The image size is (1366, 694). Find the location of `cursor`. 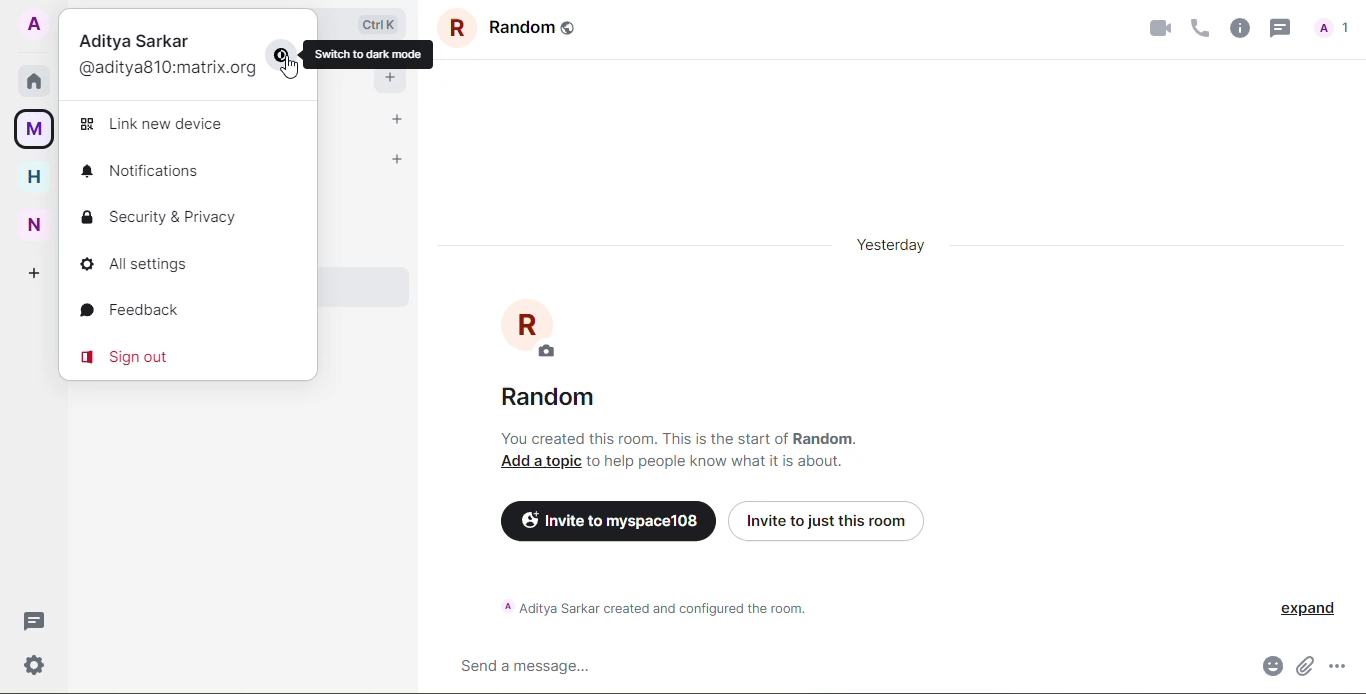

cursor is located at coordinates (293, 68).